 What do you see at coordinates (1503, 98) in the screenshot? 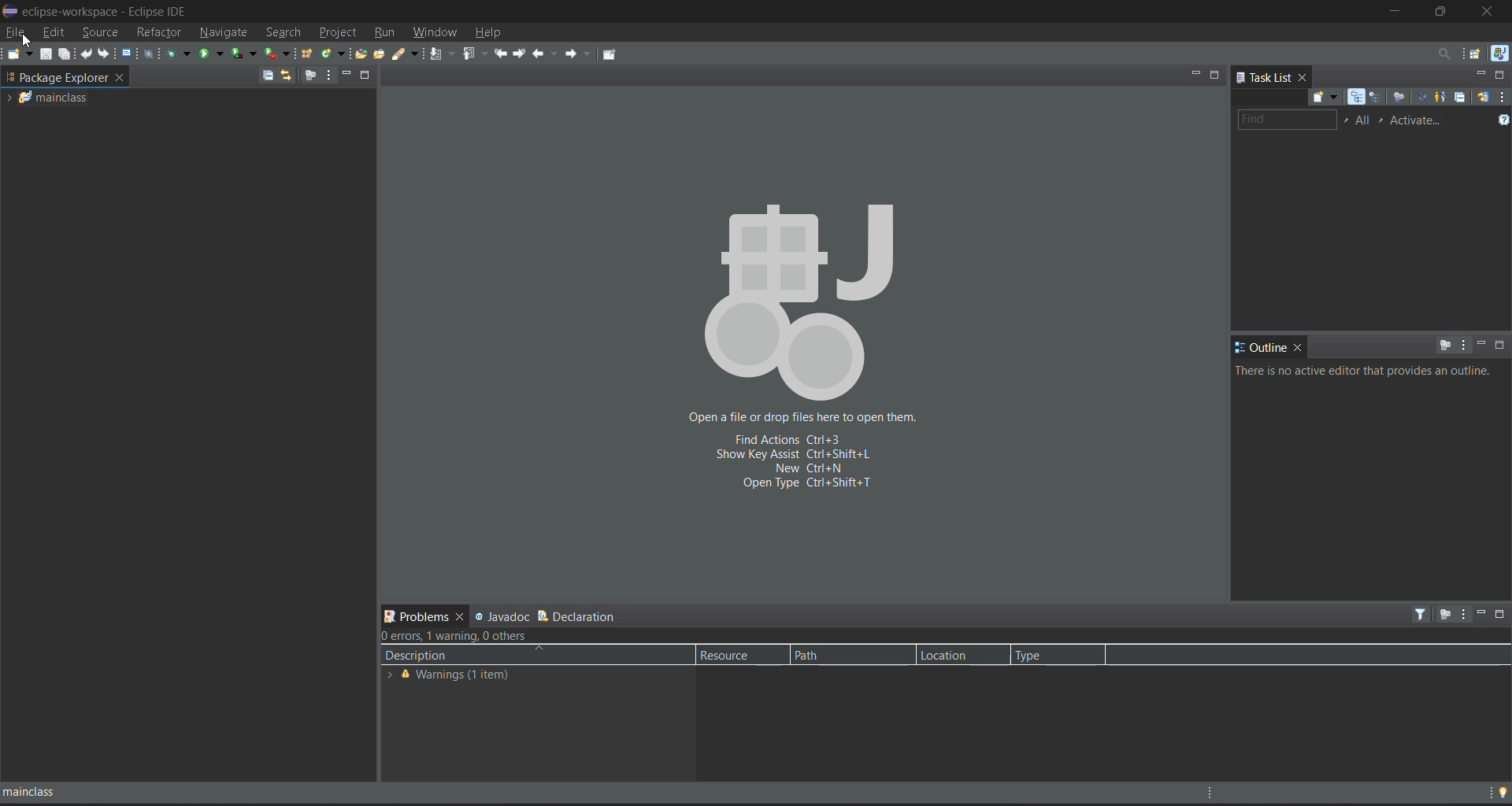
I see `view menu` at bounding box center [1503, 98].